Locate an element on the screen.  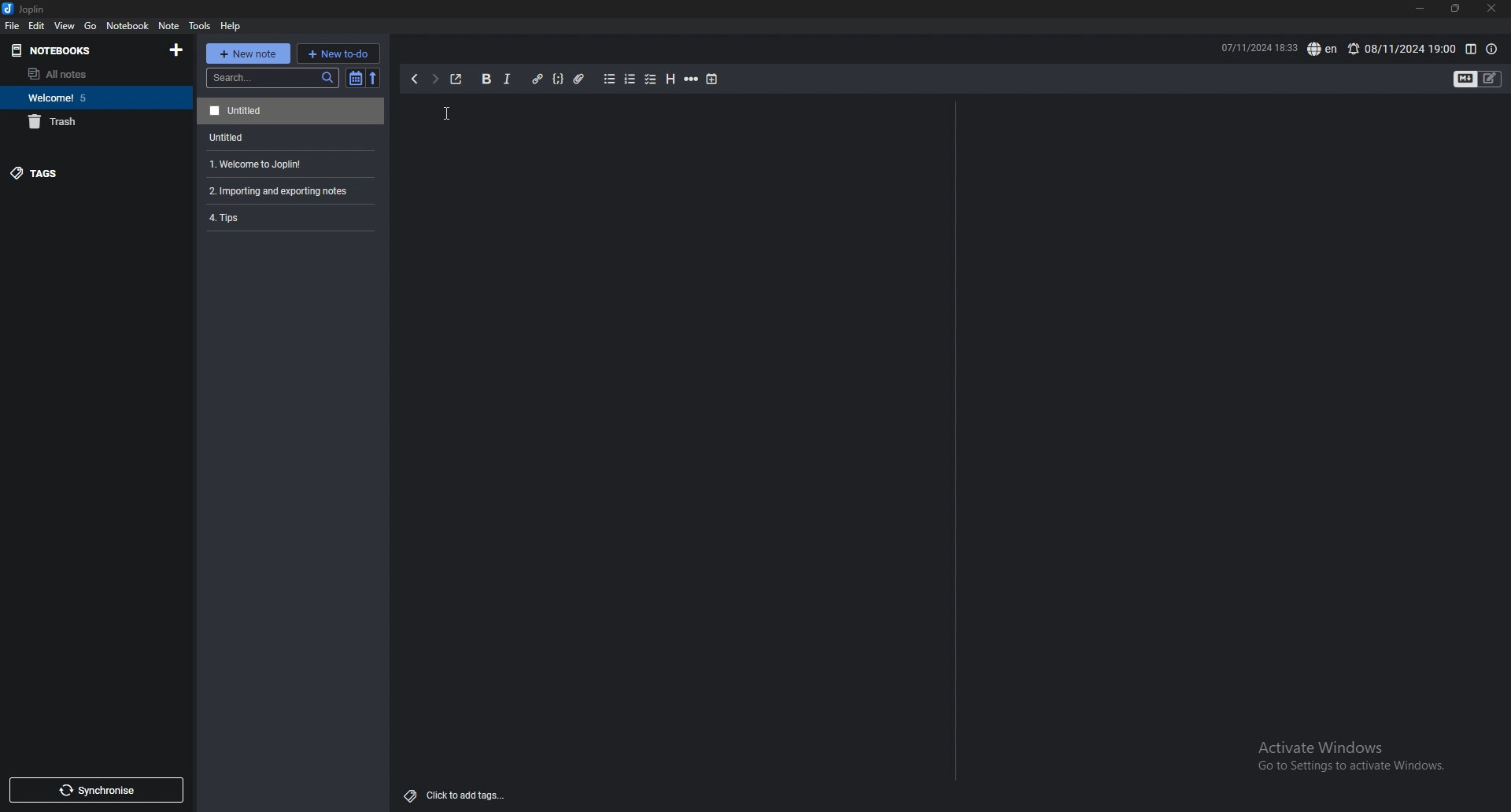
synchronize is located at coordinates (95, 790).